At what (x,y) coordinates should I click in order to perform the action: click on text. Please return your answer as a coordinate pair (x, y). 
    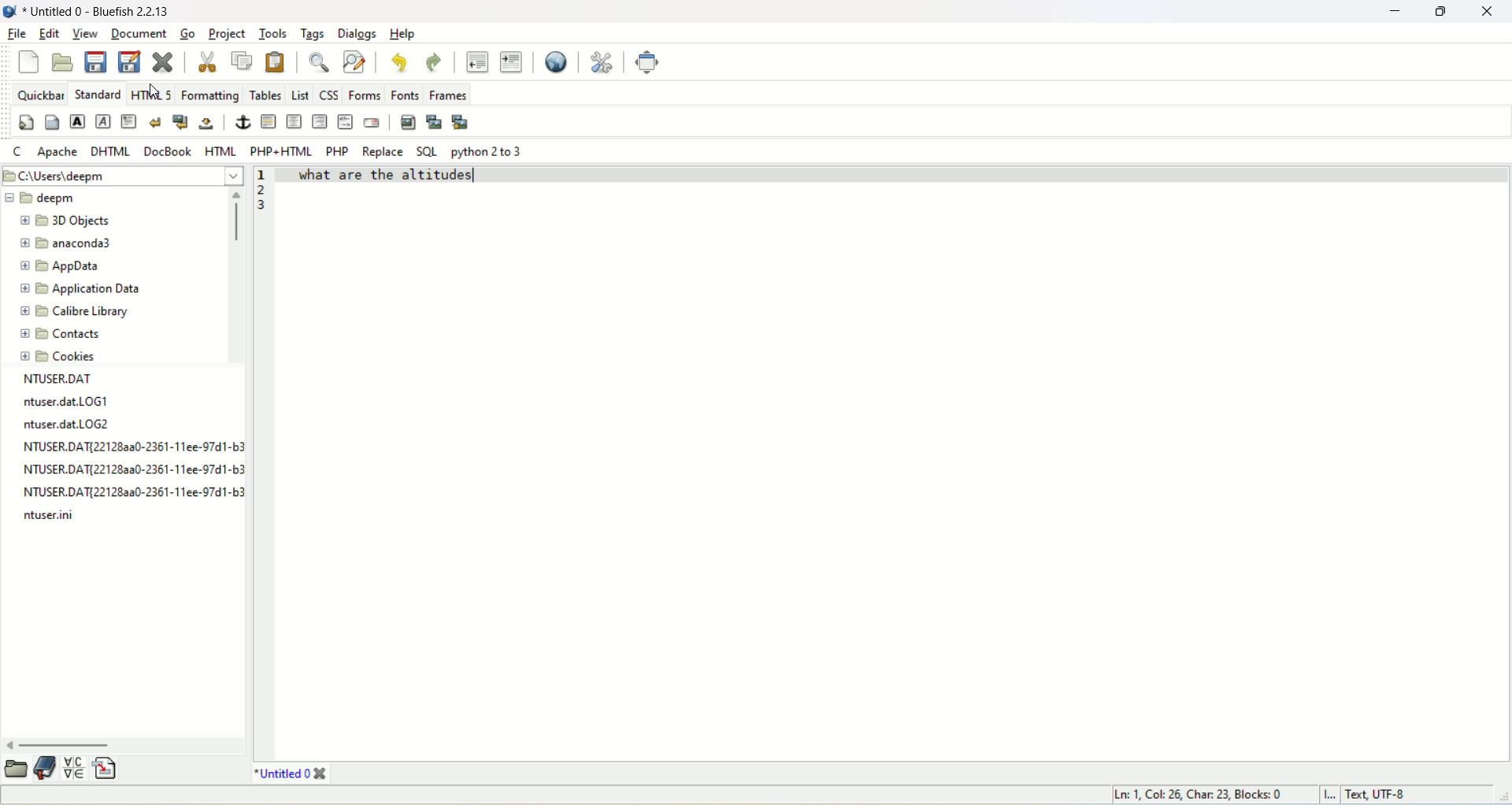
    Looking at the image, I should click on (130, 450).